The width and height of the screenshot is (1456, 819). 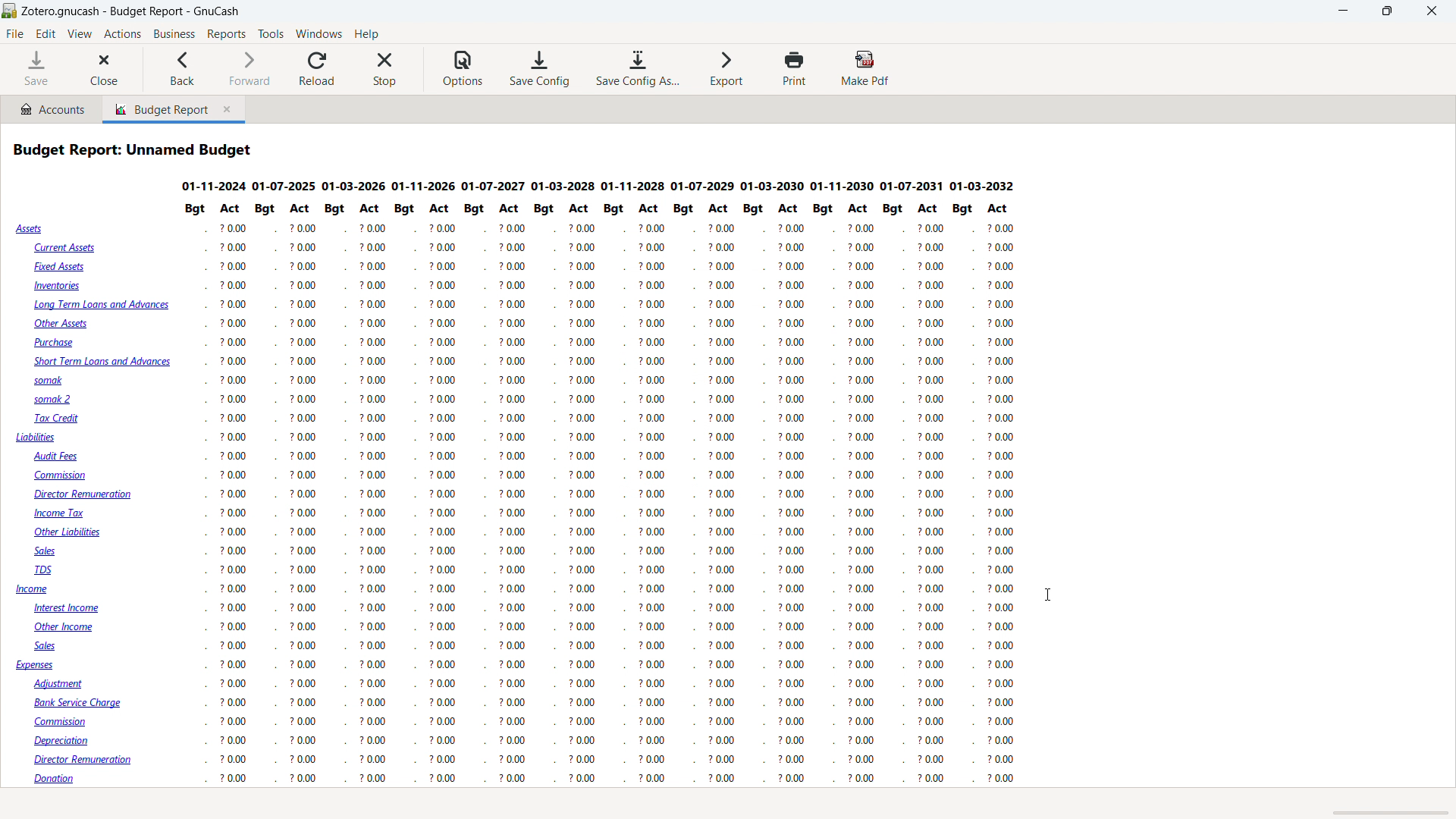 I want to click on edit, so click(x=46, y=34).